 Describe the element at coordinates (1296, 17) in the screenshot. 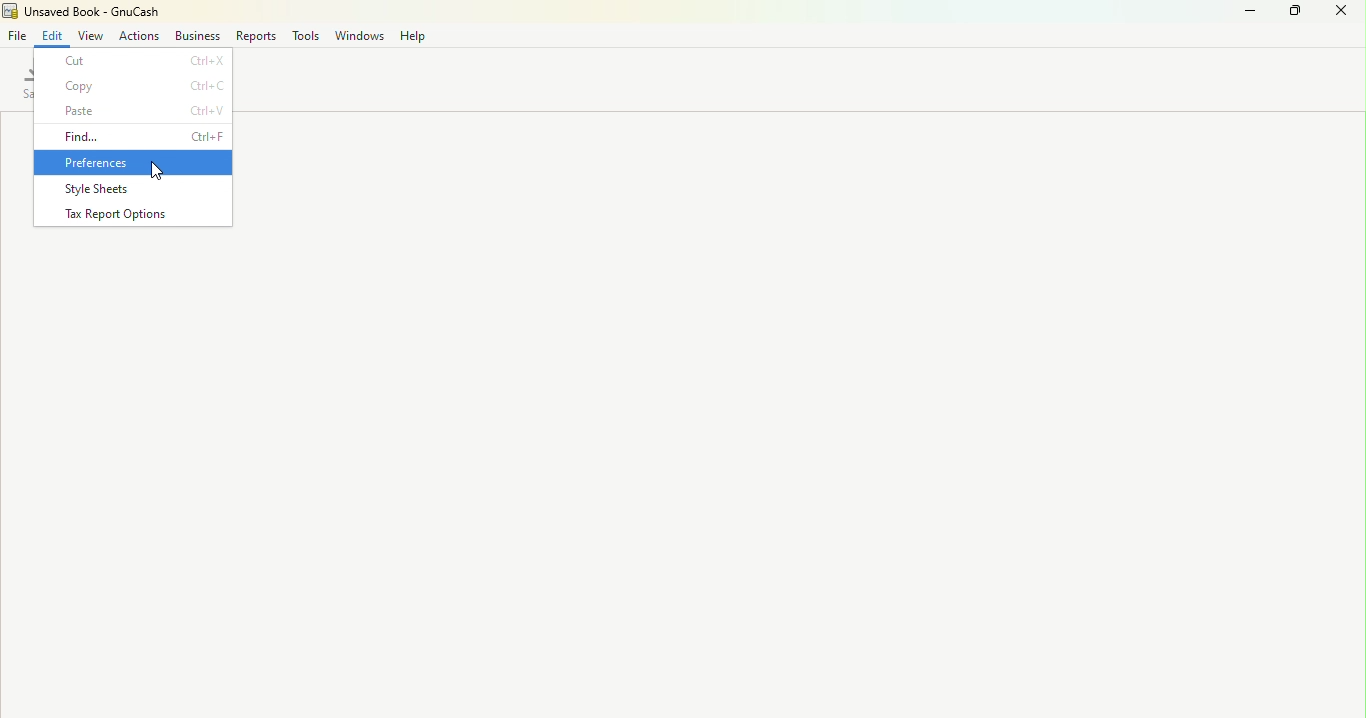

I see `Maximize` at that location.